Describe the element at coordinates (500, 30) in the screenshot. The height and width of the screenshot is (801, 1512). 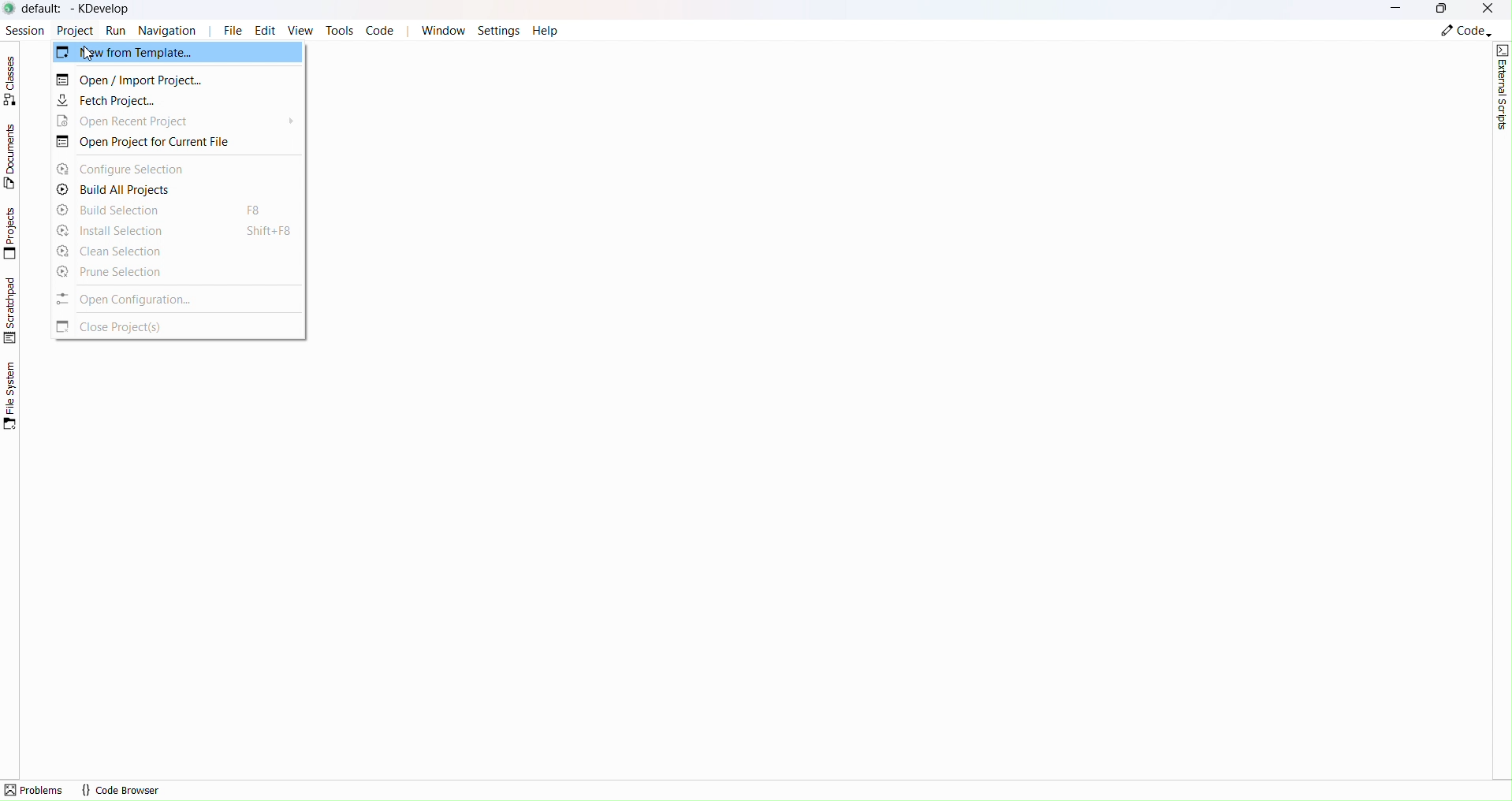
I see `Settings` at that location.